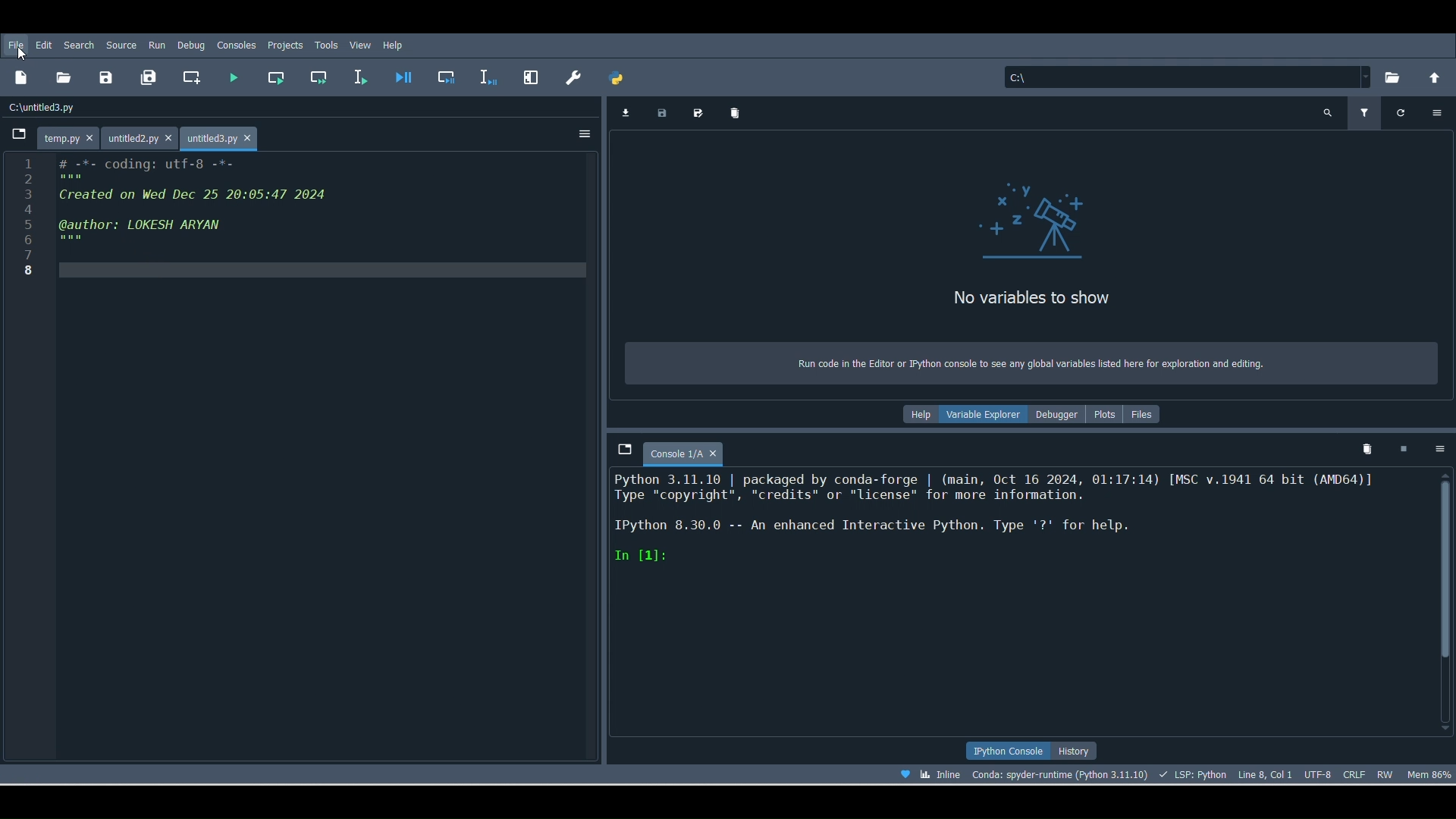  Describe the element at coordinates (1439, 452) in the screenshot. I see `Options` at that location.